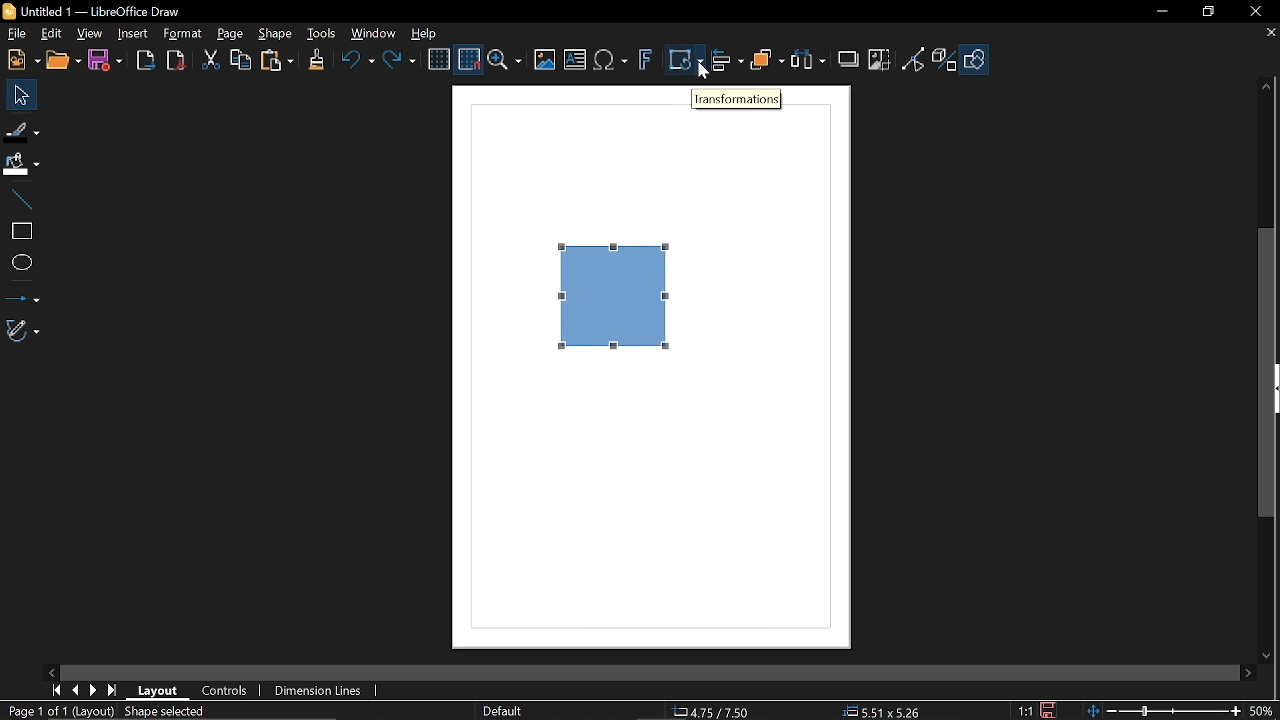 This screenshot has width=1280, height=720. What do you see at coordinates (1209, 13) in the screenshot?
I see `restore down` at bounding box center [1209, 13].